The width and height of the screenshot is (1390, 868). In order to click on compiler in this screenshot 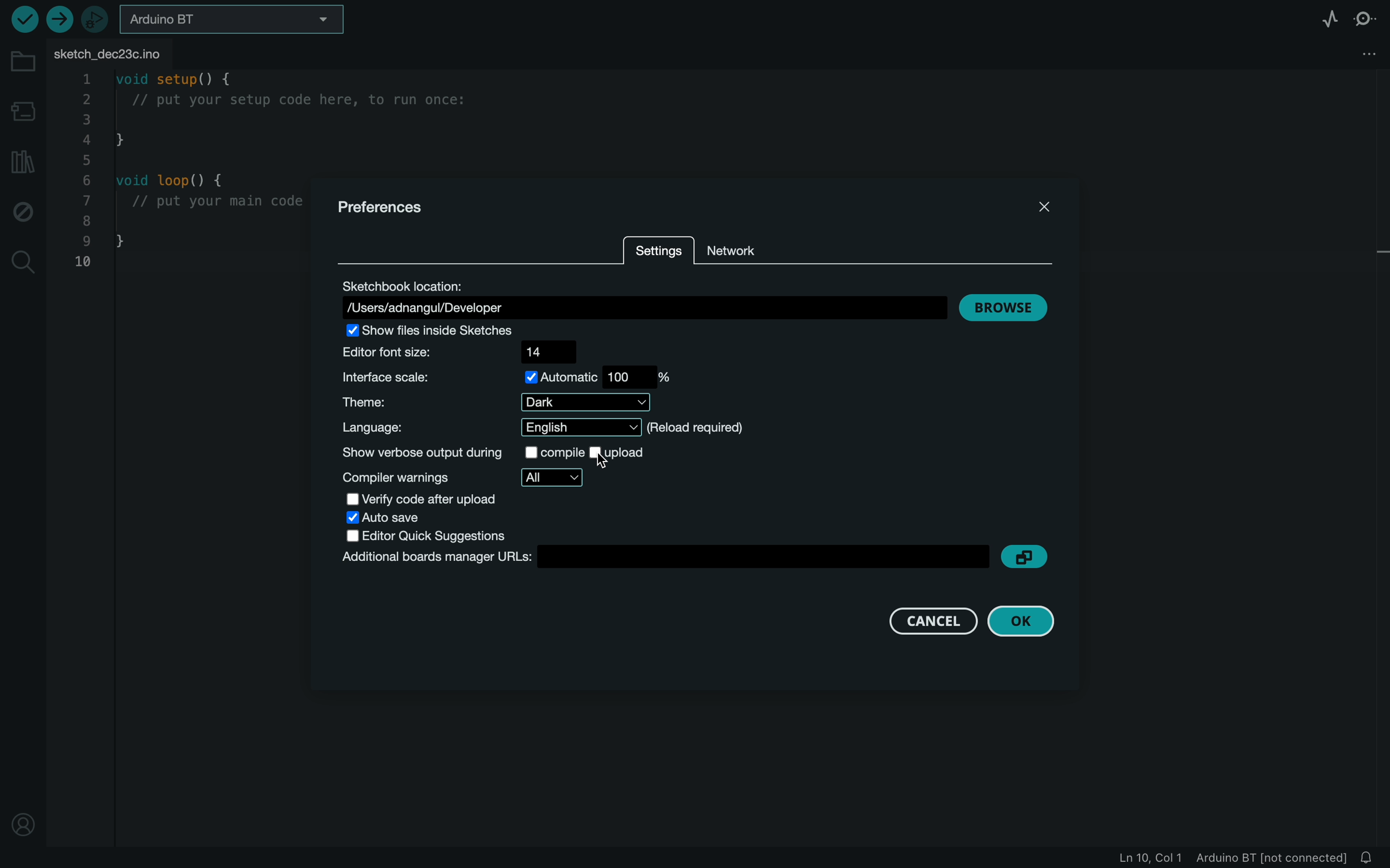, I will do `click(472, 478)`.